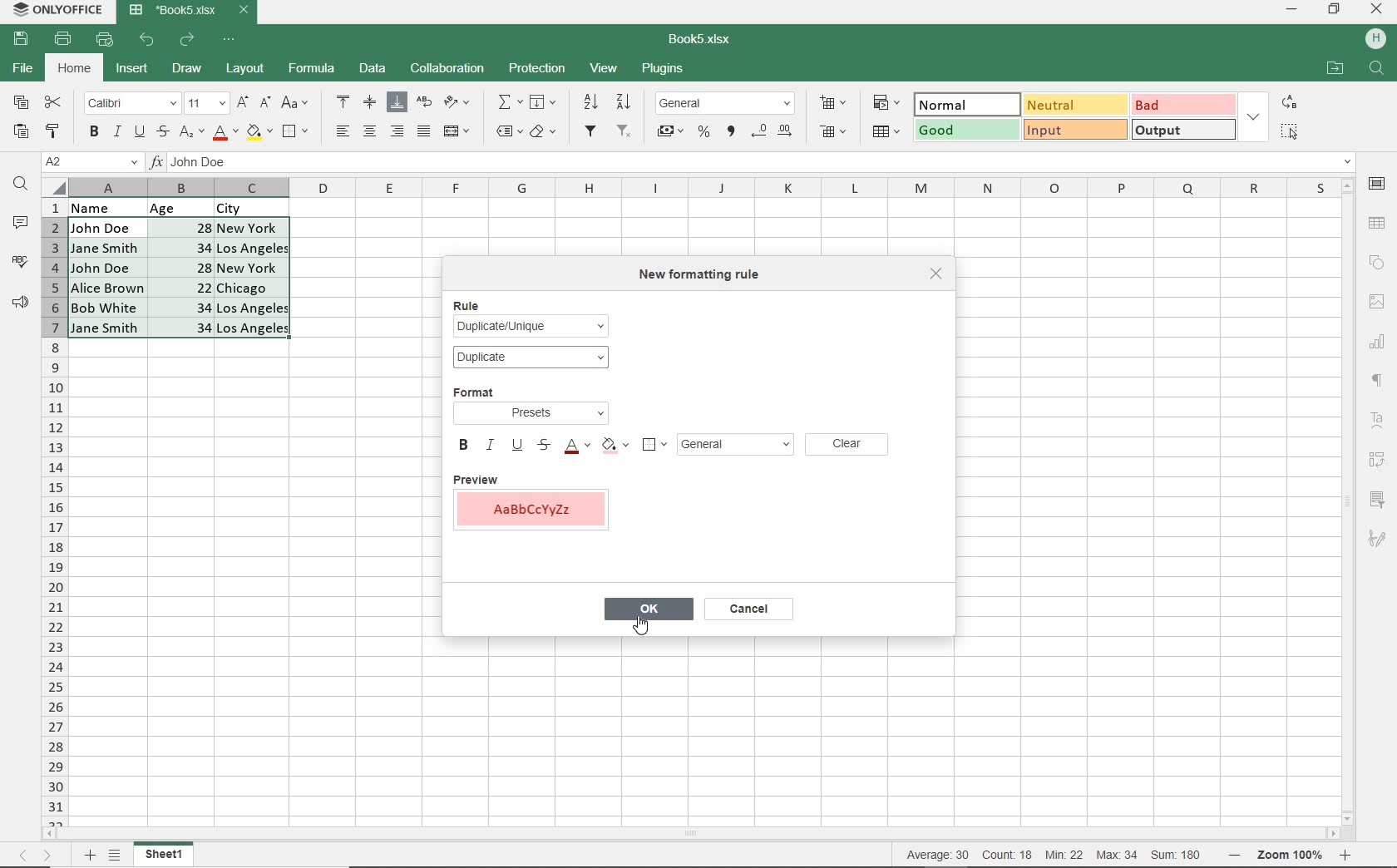  Describe the element at coordinates (1074, 104) in the screenshot. I see `NEUTRAL` at that location.